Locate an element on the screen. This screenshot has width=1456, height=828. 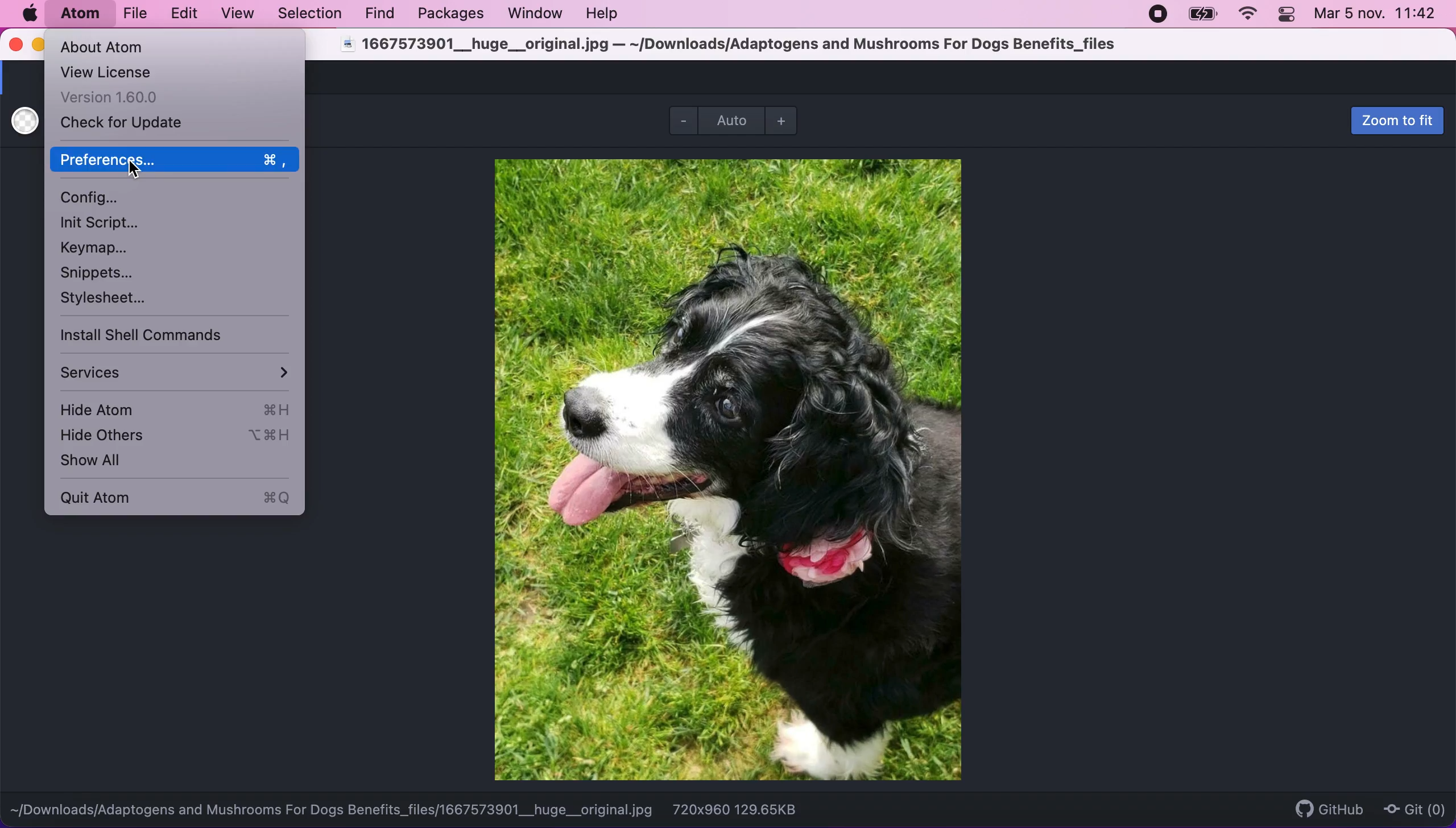
version 1.60.0 is located at coordinates (123, 98).